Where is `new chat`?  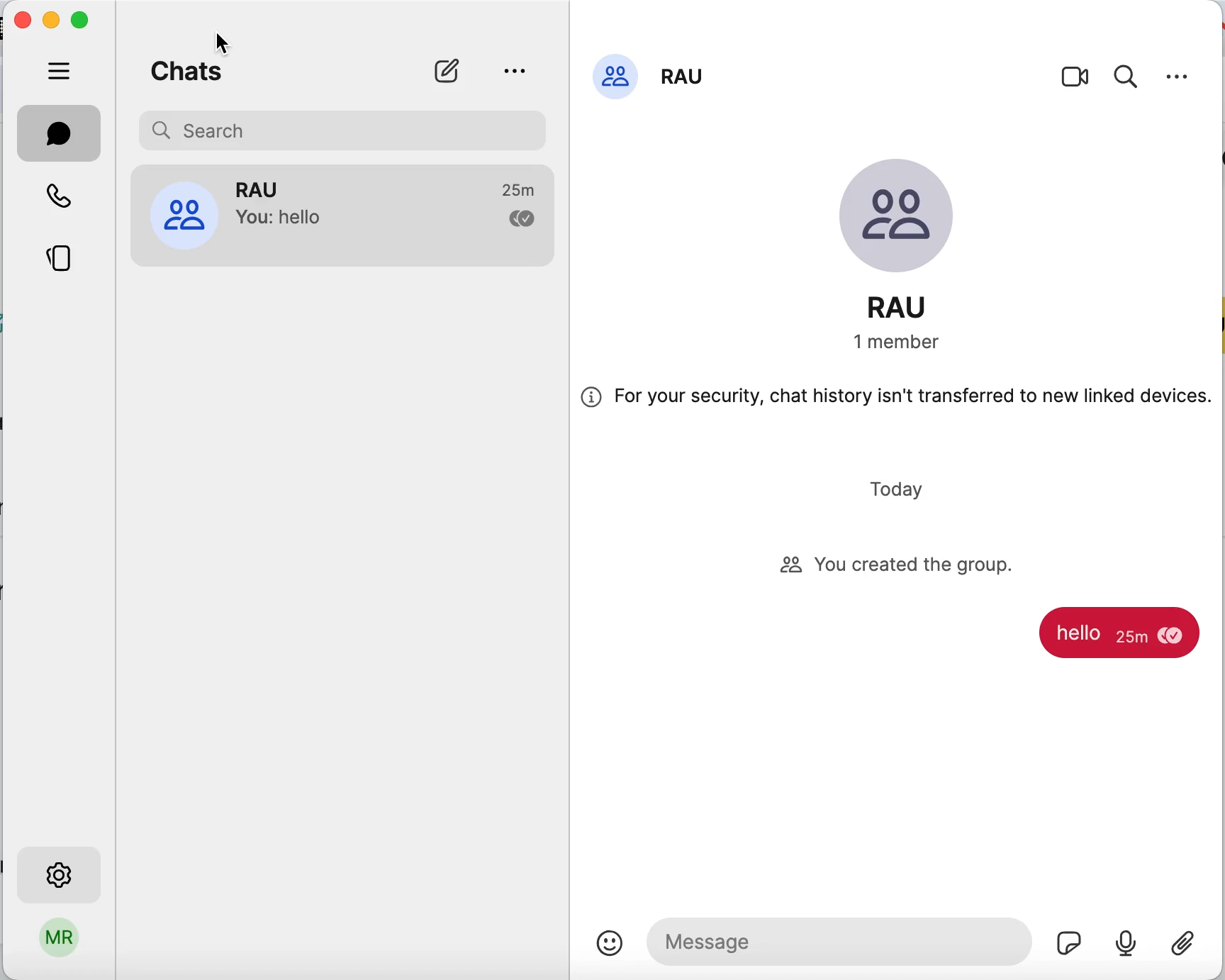
new chat is located at coordinates (449, 70).